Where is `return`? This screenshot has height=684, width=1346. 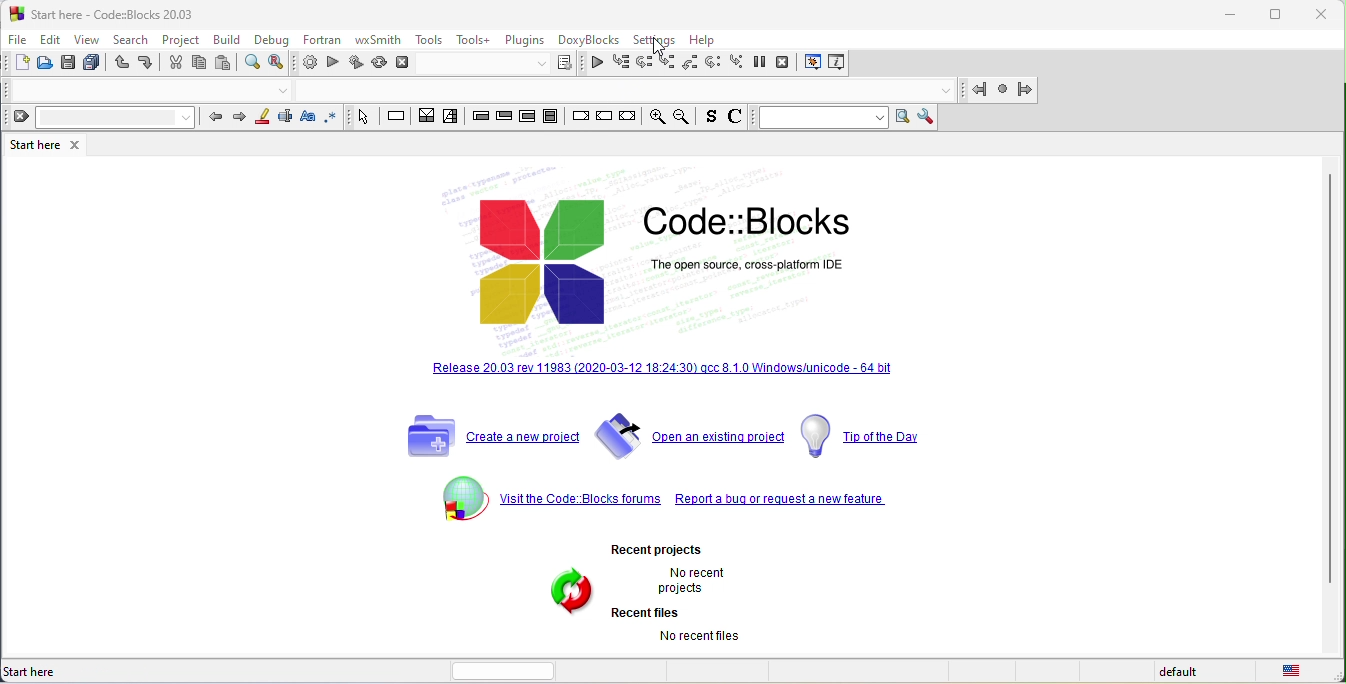
return is located at coordinates (629, 120).